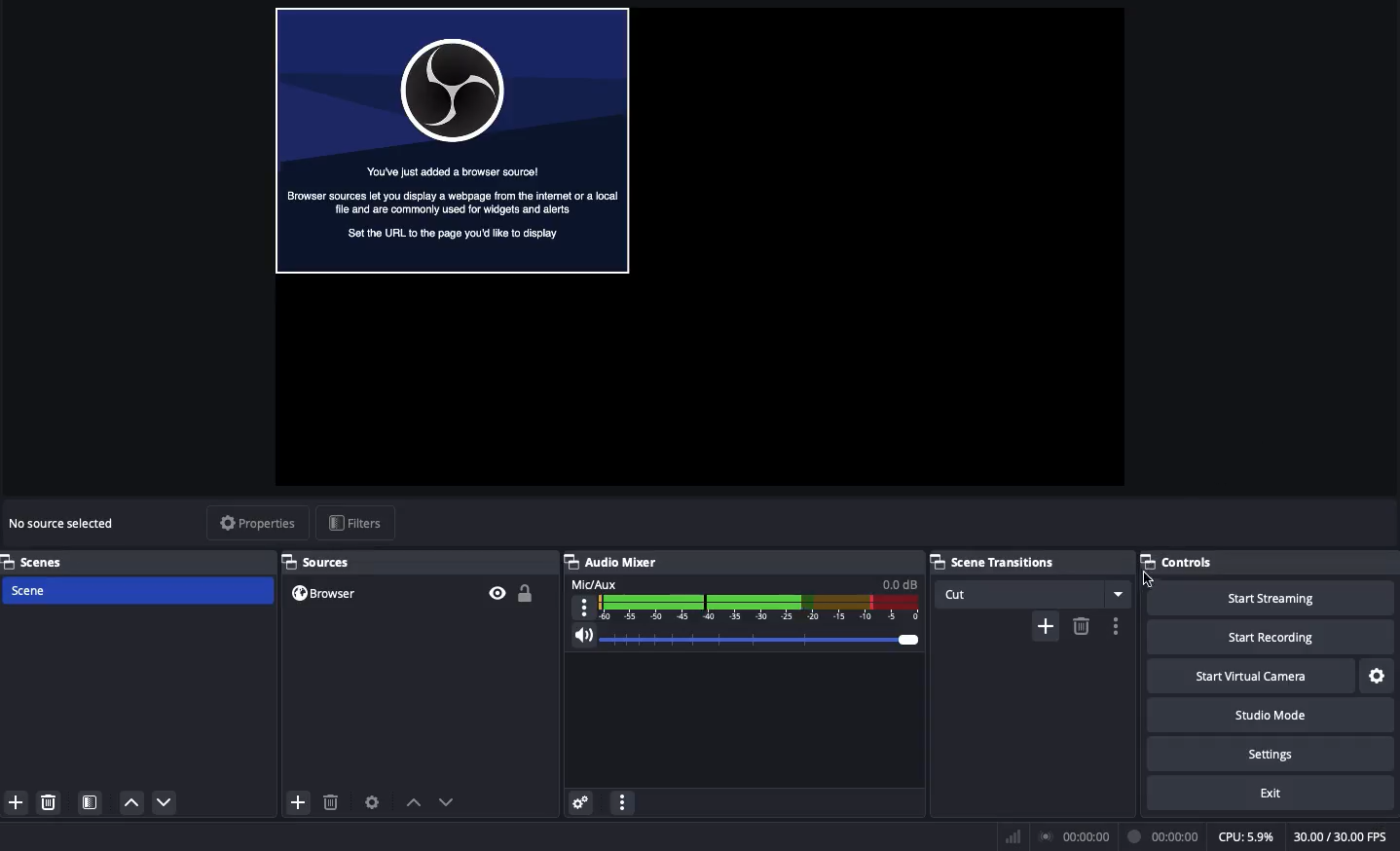  I want to click on Move up, so click(131, 803).